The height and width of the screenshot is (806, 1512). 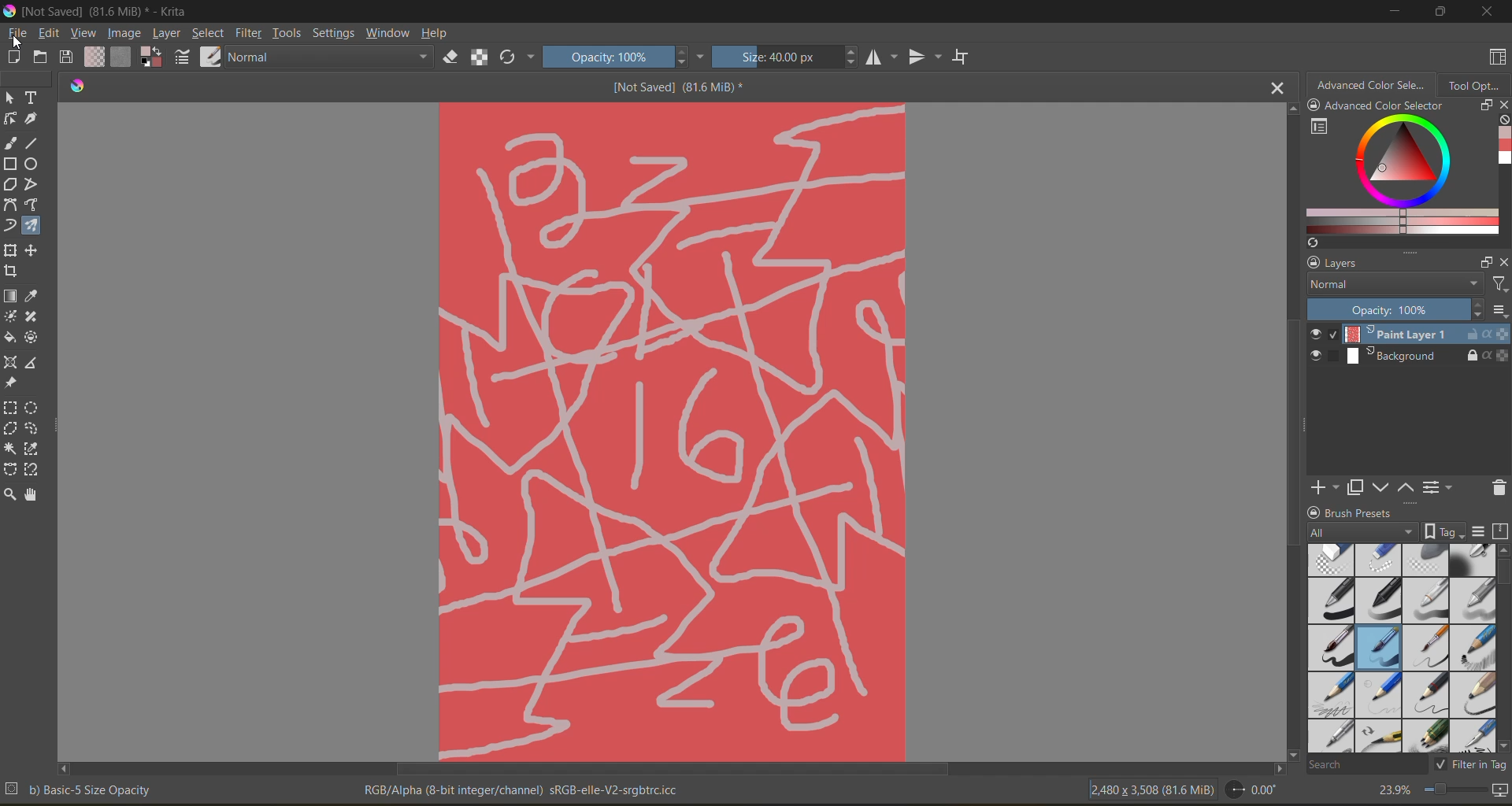 What do you see at coordinates (1455, 792) in the screenshot?
I see `zoom` at bounding box center [1455, 792].